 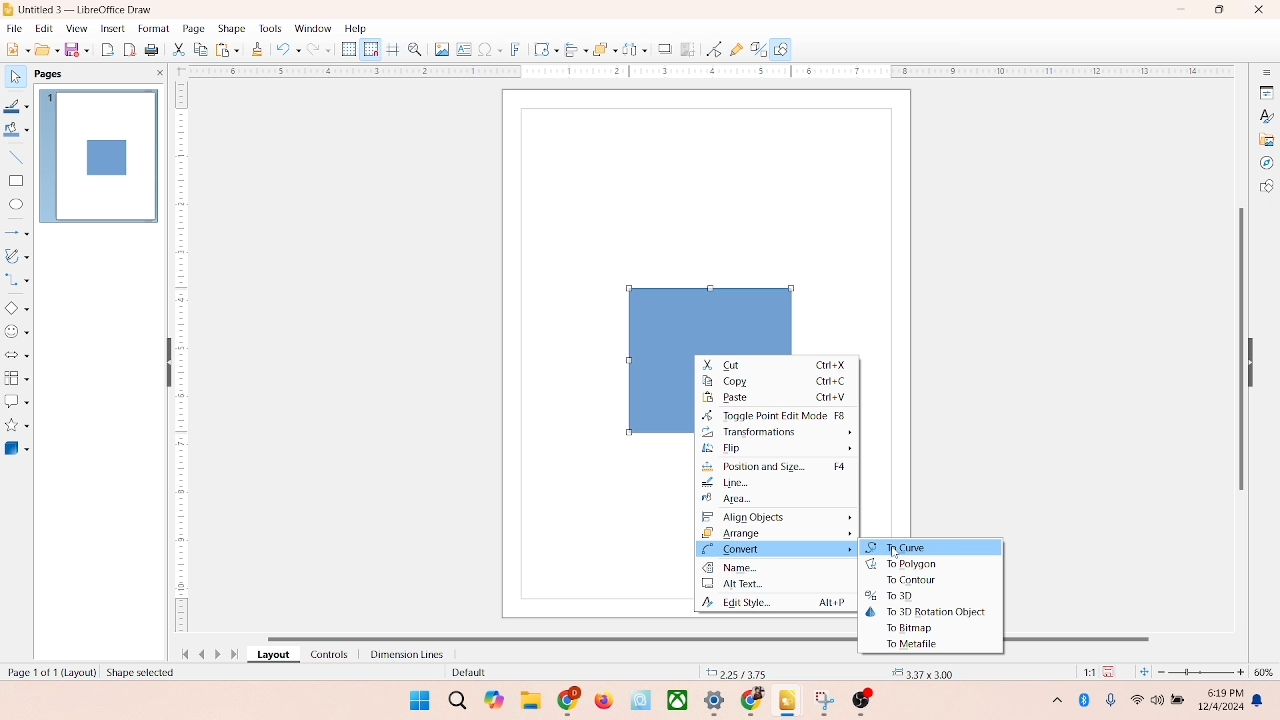 What do you see at coordinates (776, 431) in the screenshot?
I see `transformation` at bounding box center [776, 431].